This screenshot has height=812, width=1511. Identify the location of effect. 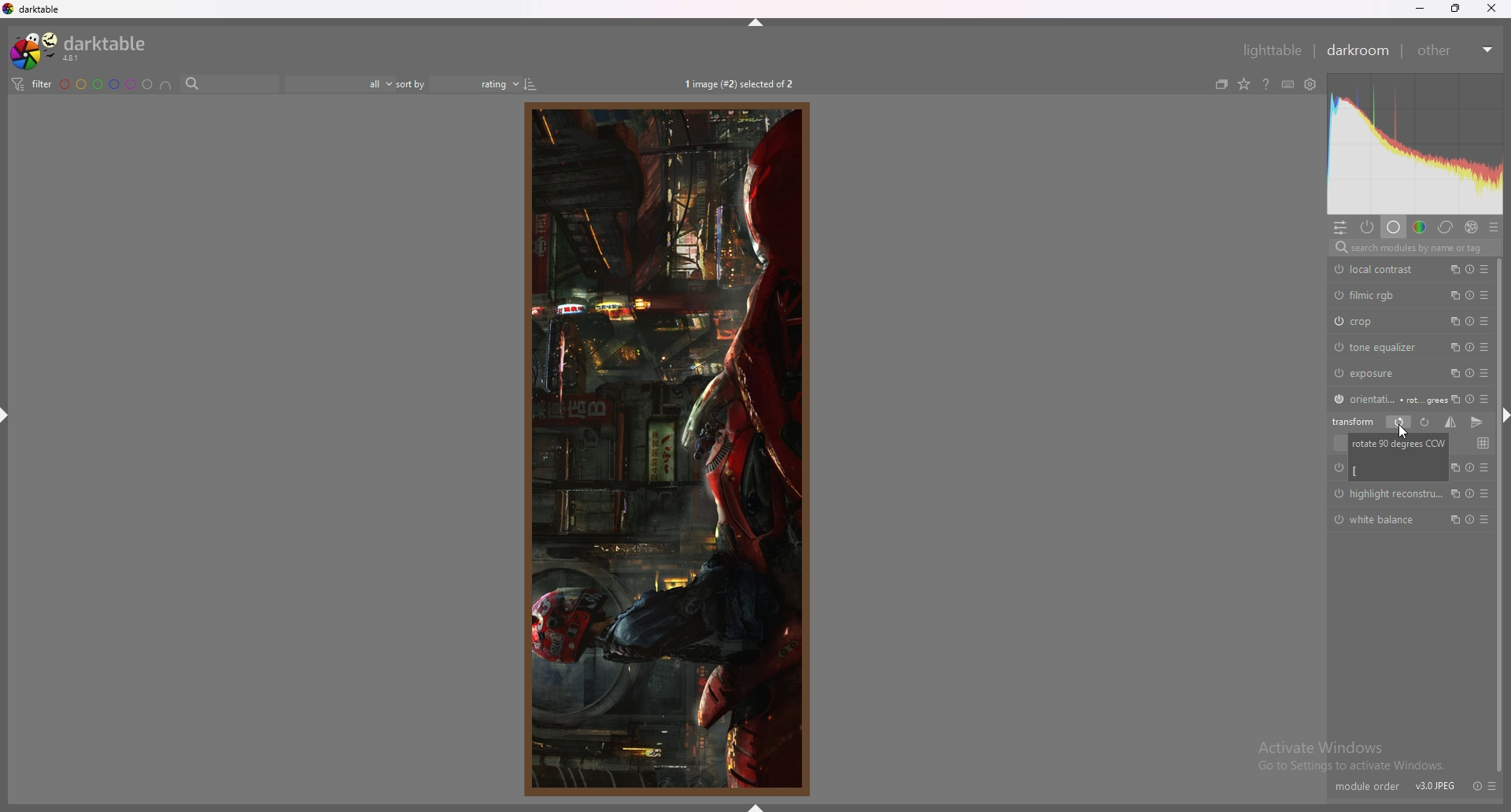
(1472, 227).